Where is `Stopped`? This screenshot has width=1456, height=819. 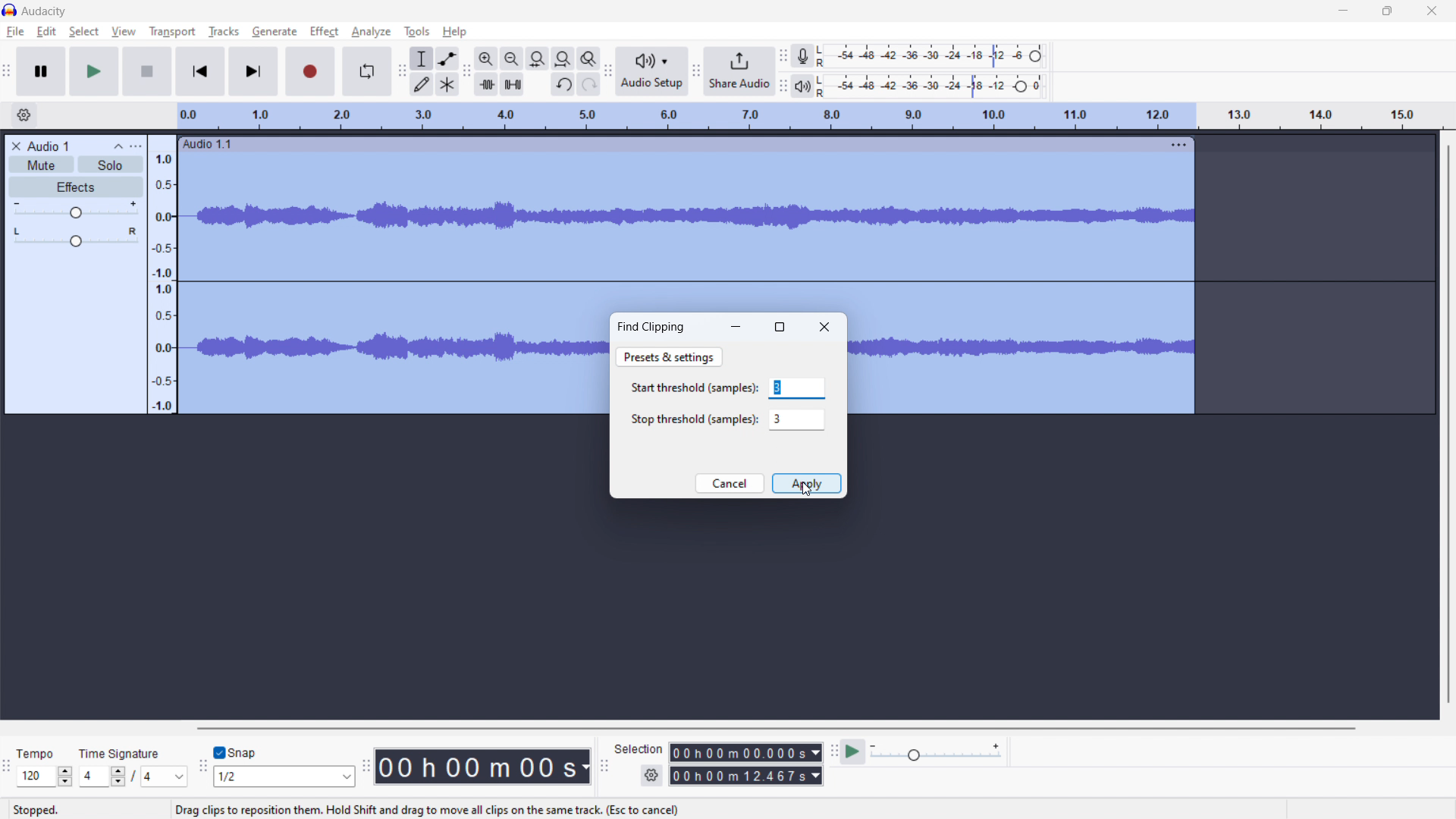
Stopped is located at coordinates (38, 810).